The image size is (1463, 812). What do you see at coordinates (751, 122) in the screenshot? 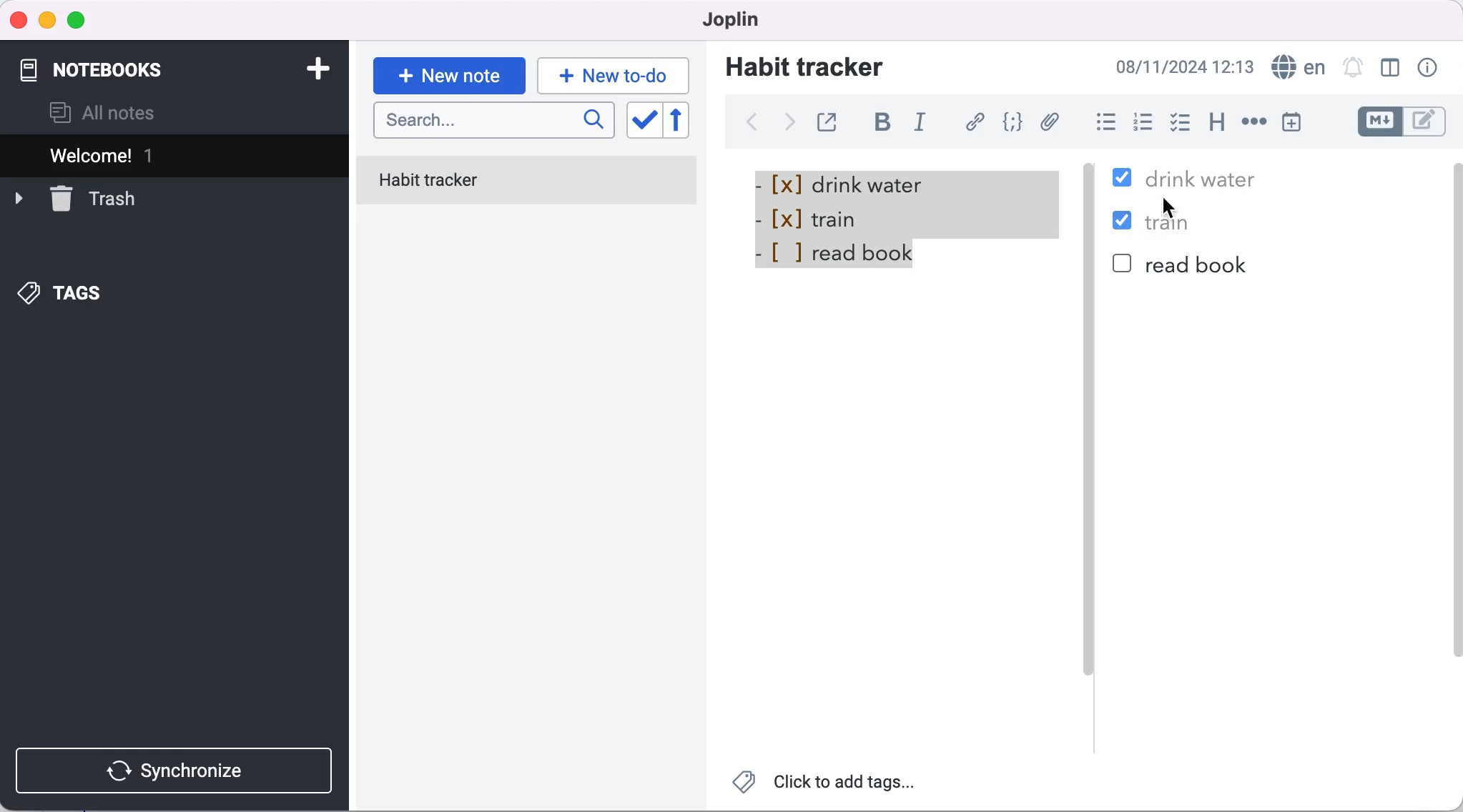
I see `back` at bounding box center [751, 122].